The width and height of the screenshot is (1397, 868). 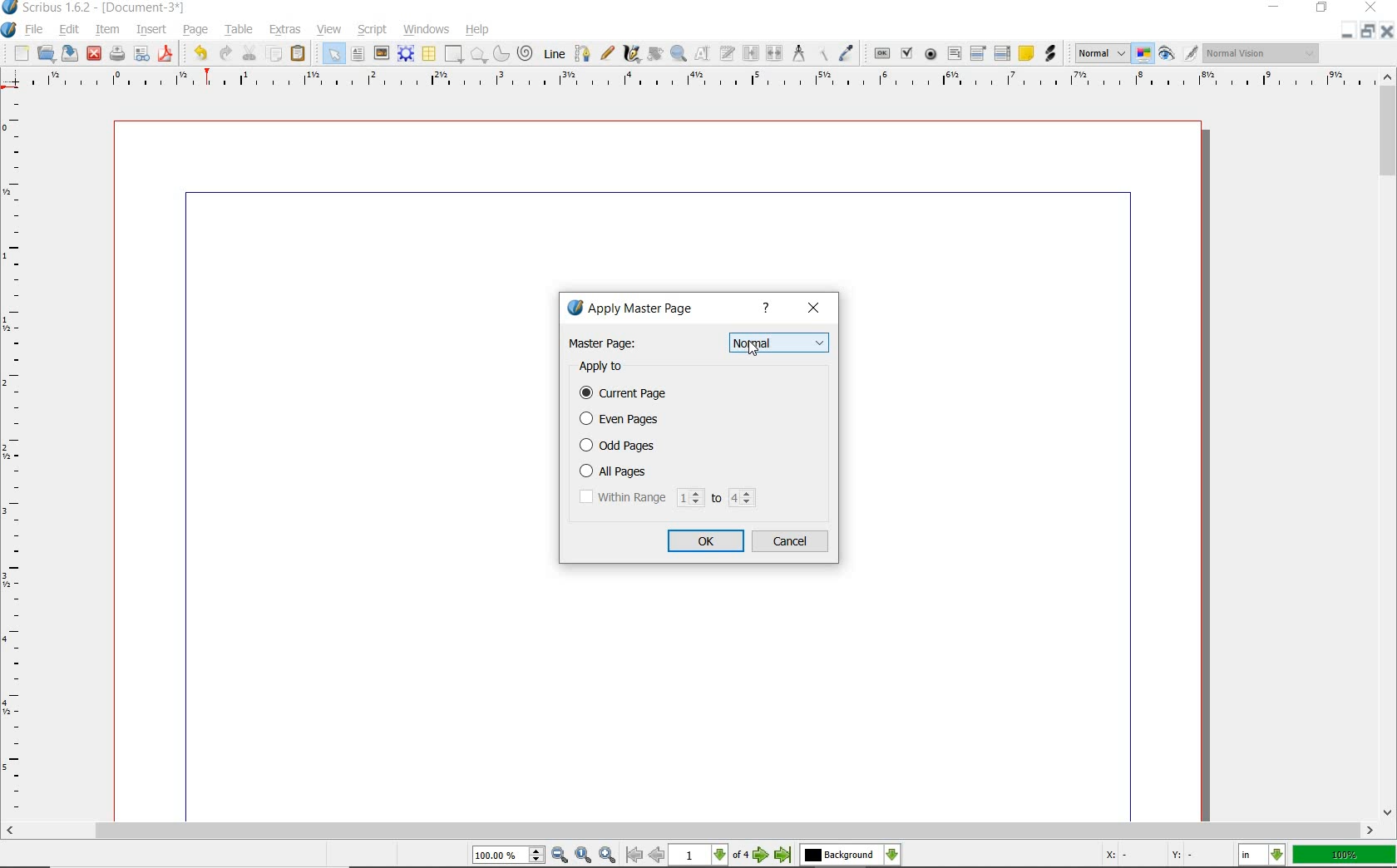 What do you see at coordinates (298, 53) in the screenshot?
I see `paste` at bounding box center [298, 53].